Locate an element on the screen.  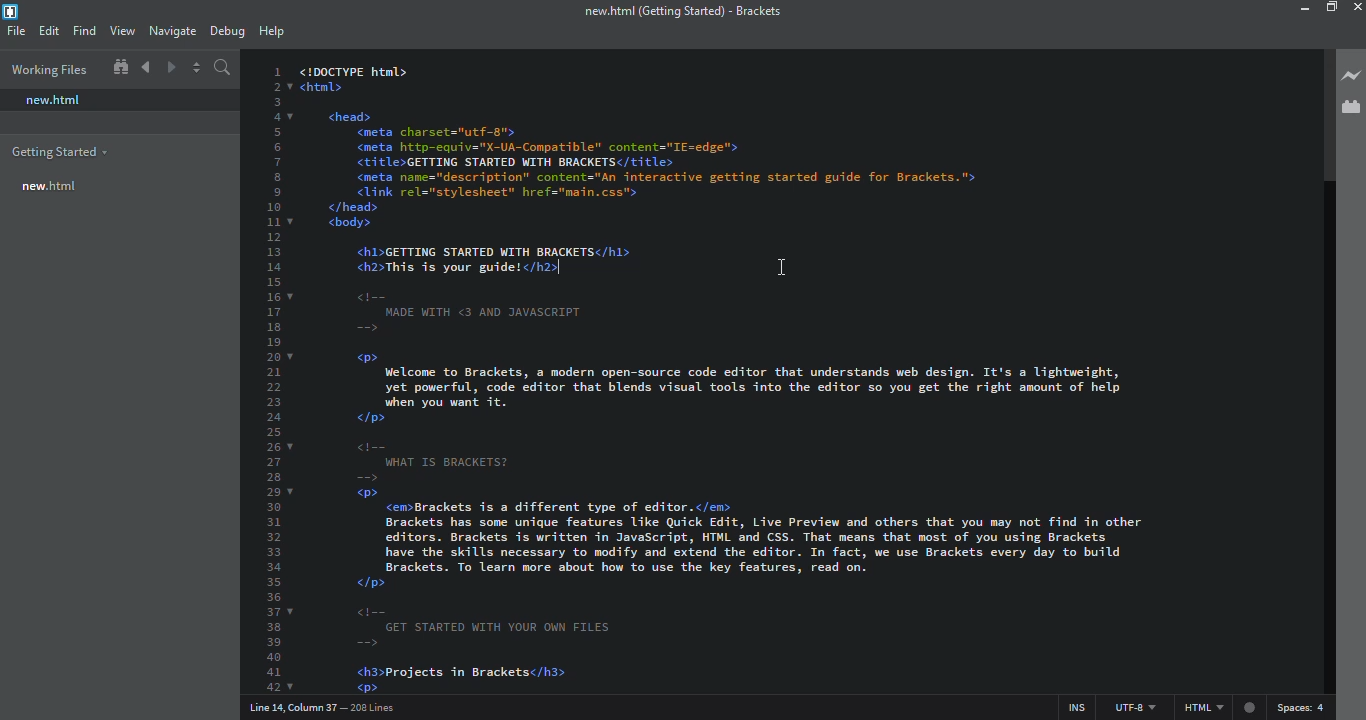
ins is located at coordinates (1074, 704).